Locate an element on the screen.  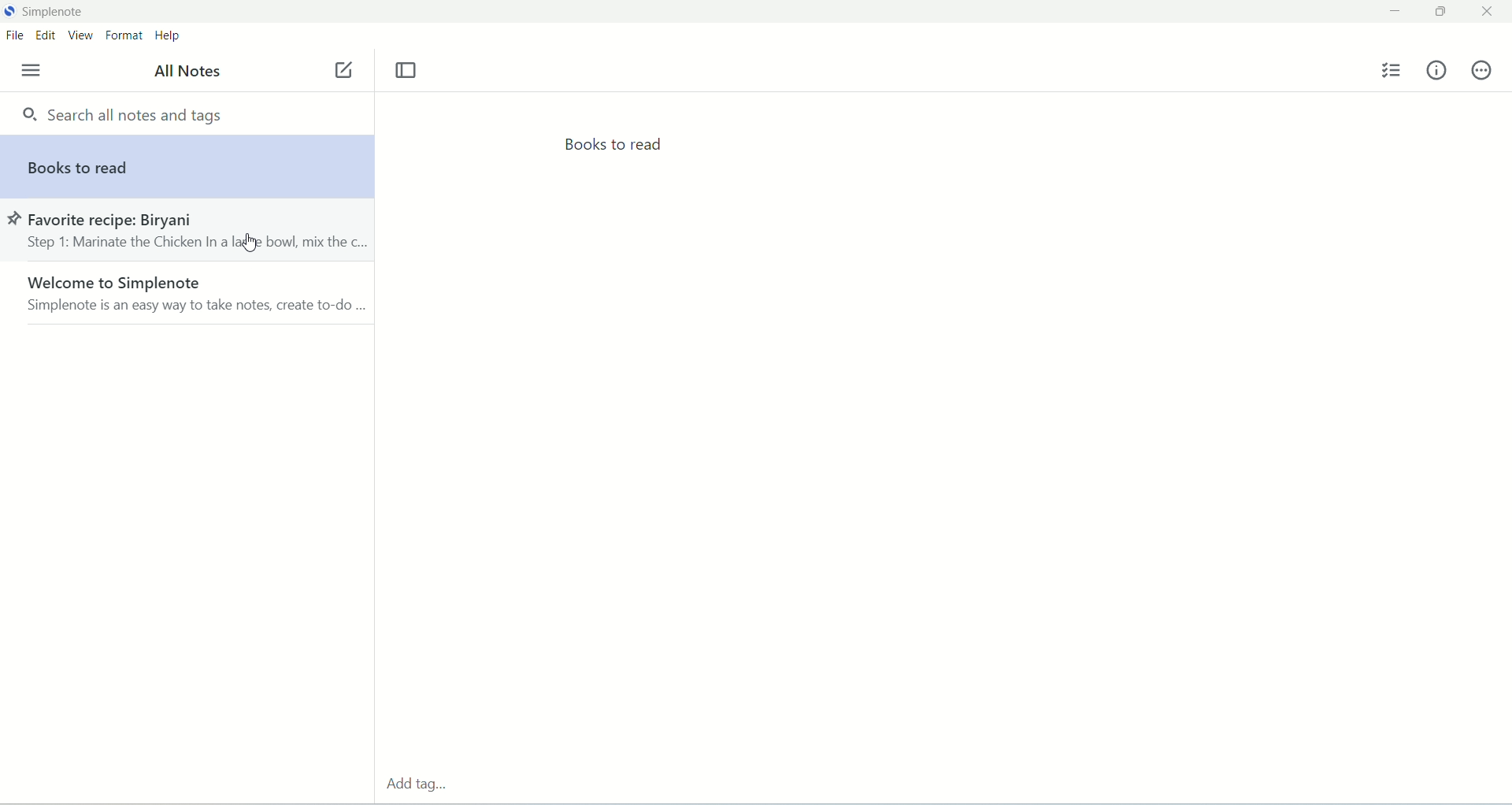
welcome to simplenote is located at coordinates (187, 295).